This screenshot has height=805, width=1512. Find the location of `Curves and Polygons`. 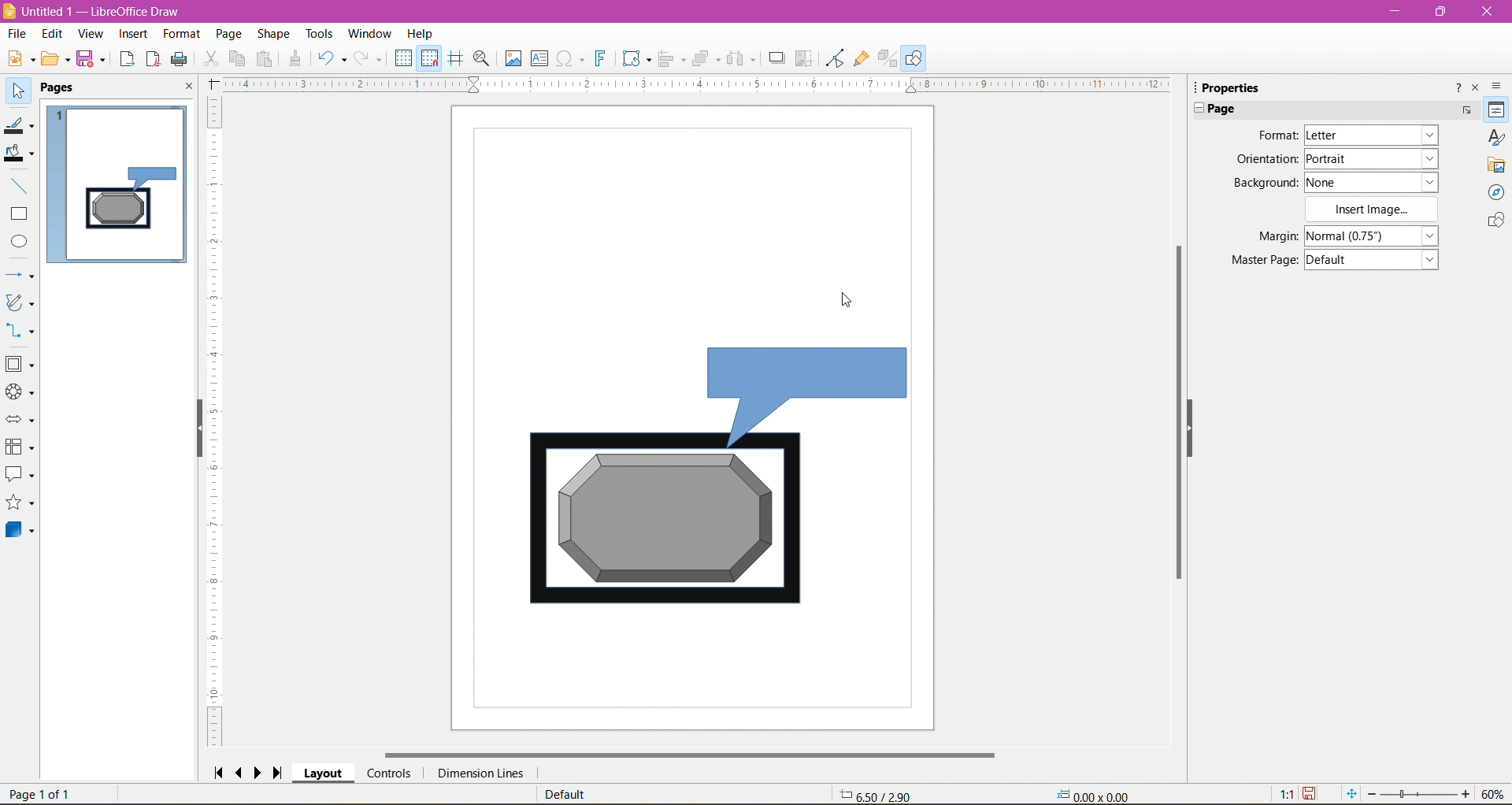

Curves and Polygons is located at coordinates (20, 303).